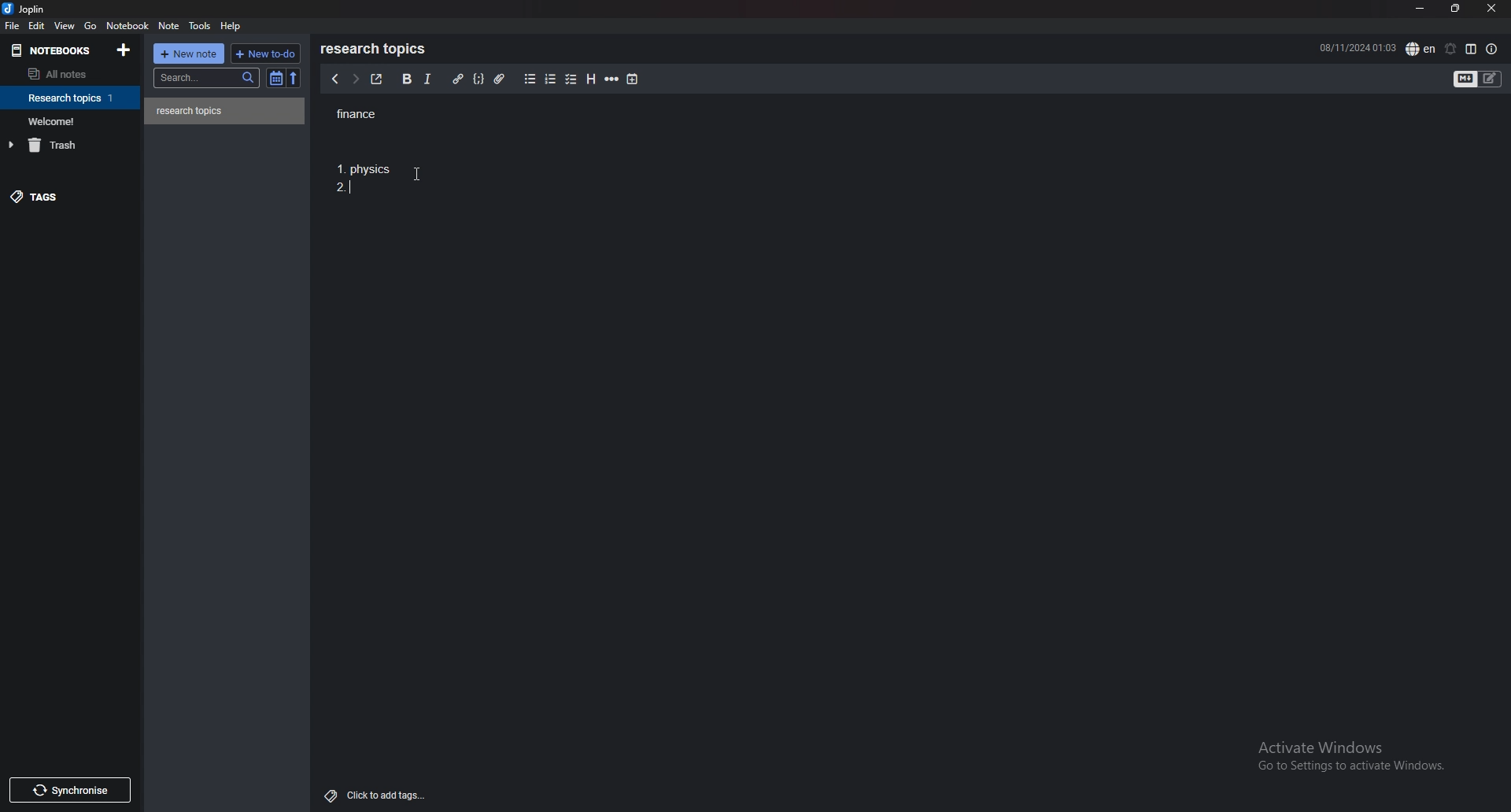  Describe the element at coordinates (190, 53) in the screenshot. I see `new note` at that location.